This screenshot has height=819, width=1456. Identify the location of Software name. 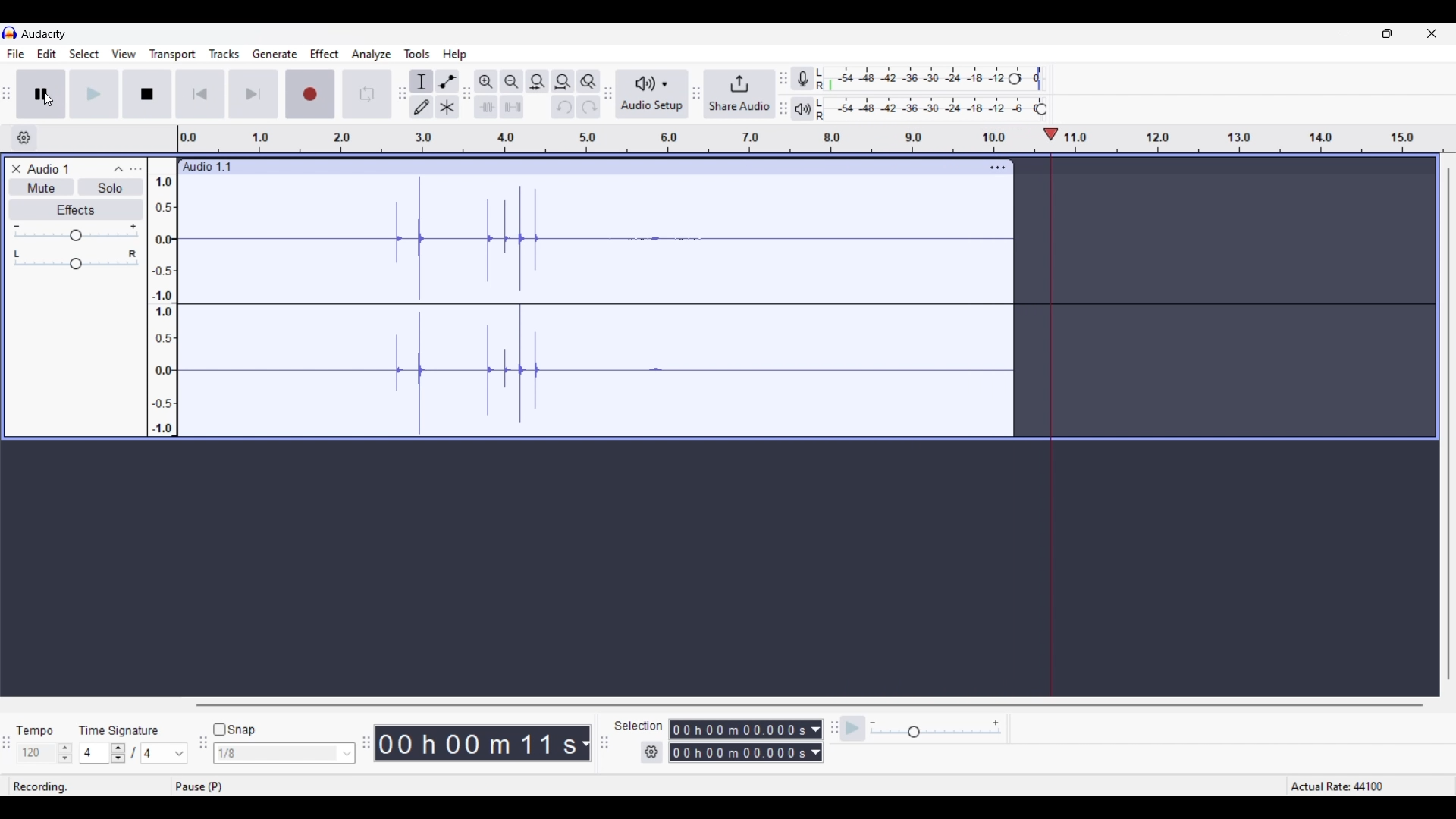
(45, 34).